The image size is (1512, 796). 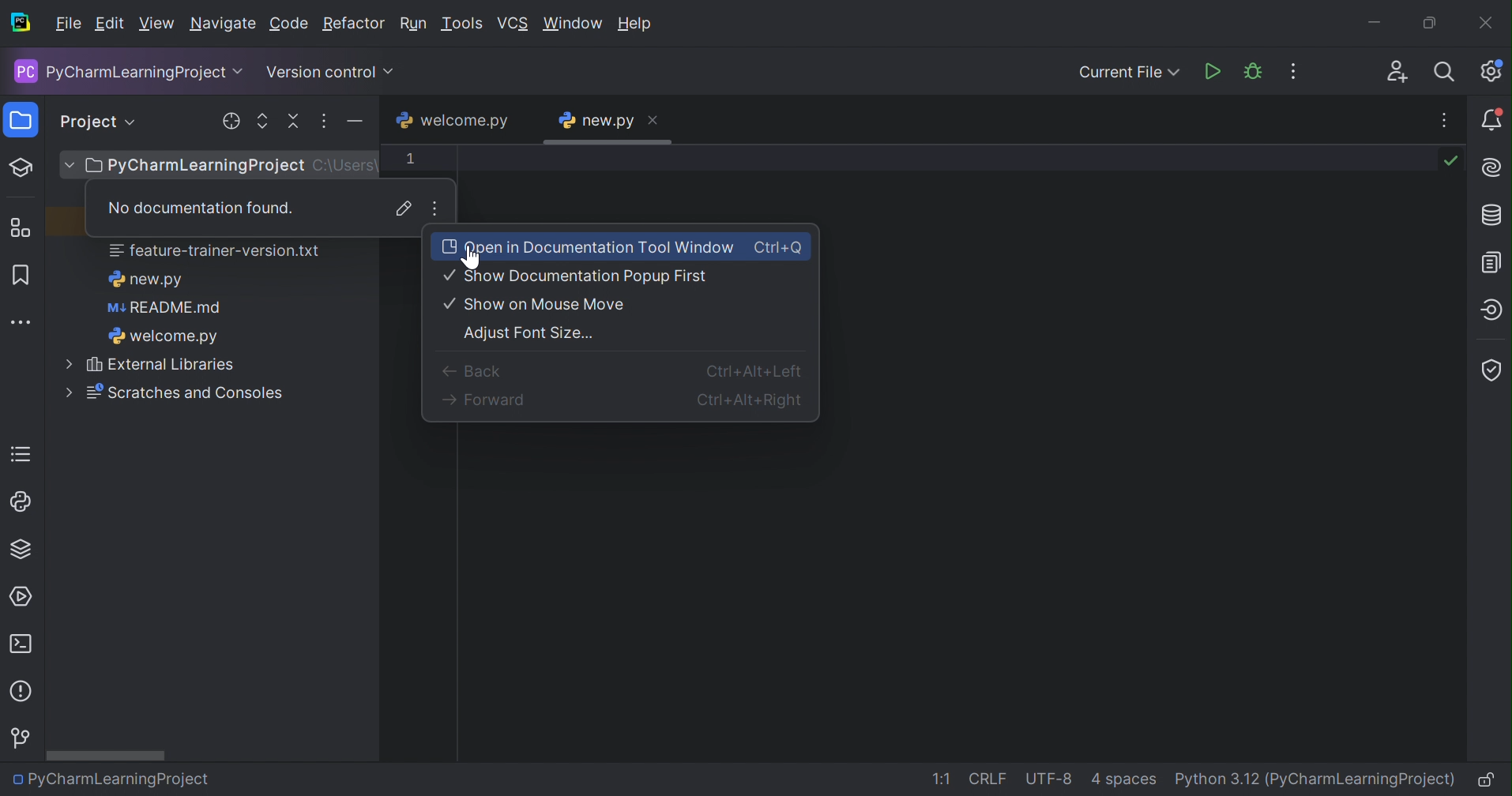 I want to click on VCS, so click(x=515, y=24).